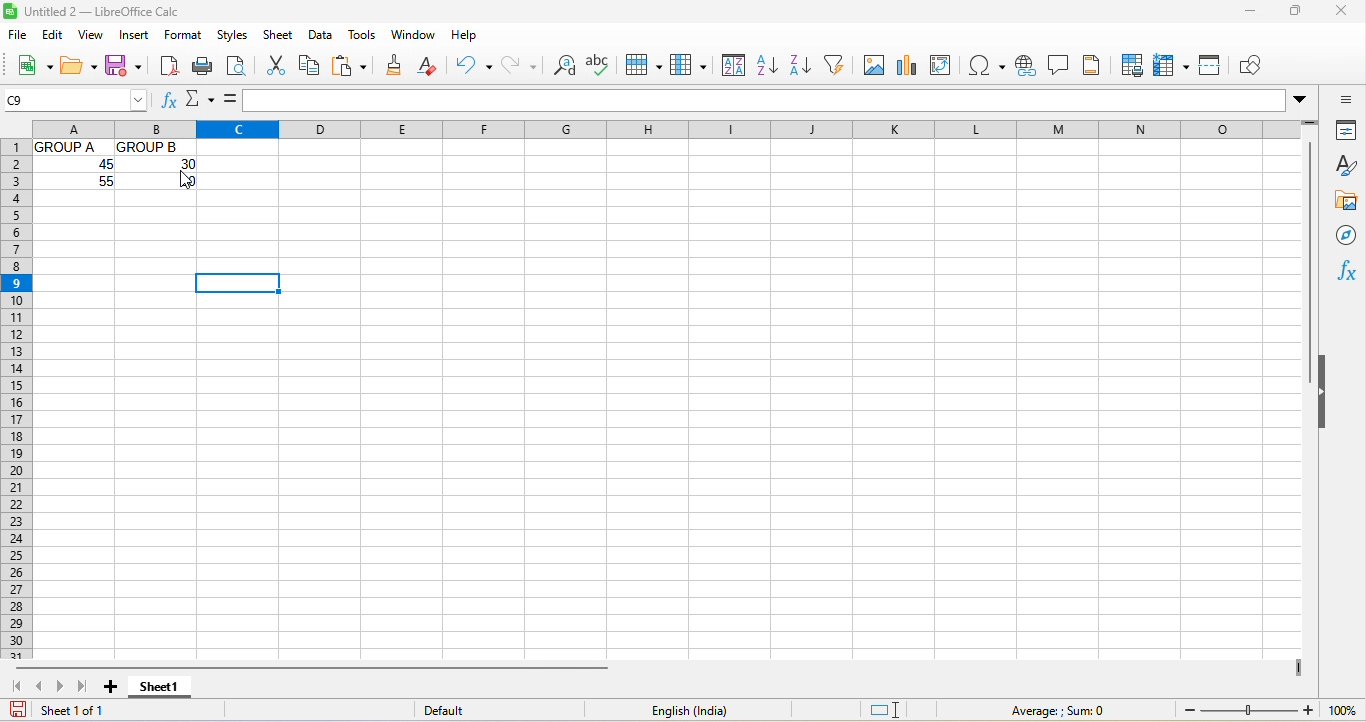 This screenshot has height=722, width=1366. Describe the element at coordinates (777, 100) in the screenshot. I see `formula bar` at that location.